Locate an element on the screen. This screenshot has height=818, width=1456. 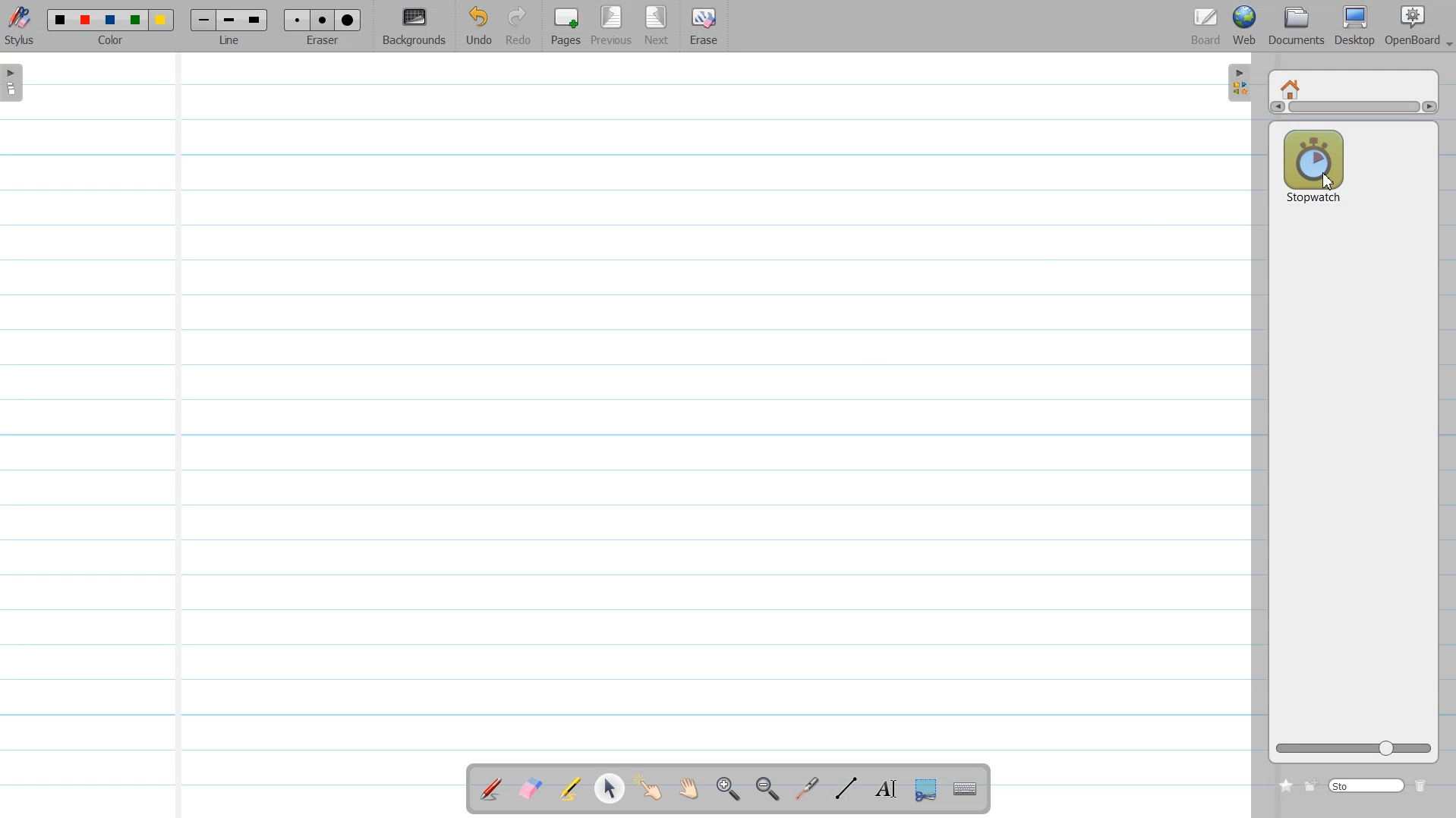
Search bar is located at coordinates (1366, 785).